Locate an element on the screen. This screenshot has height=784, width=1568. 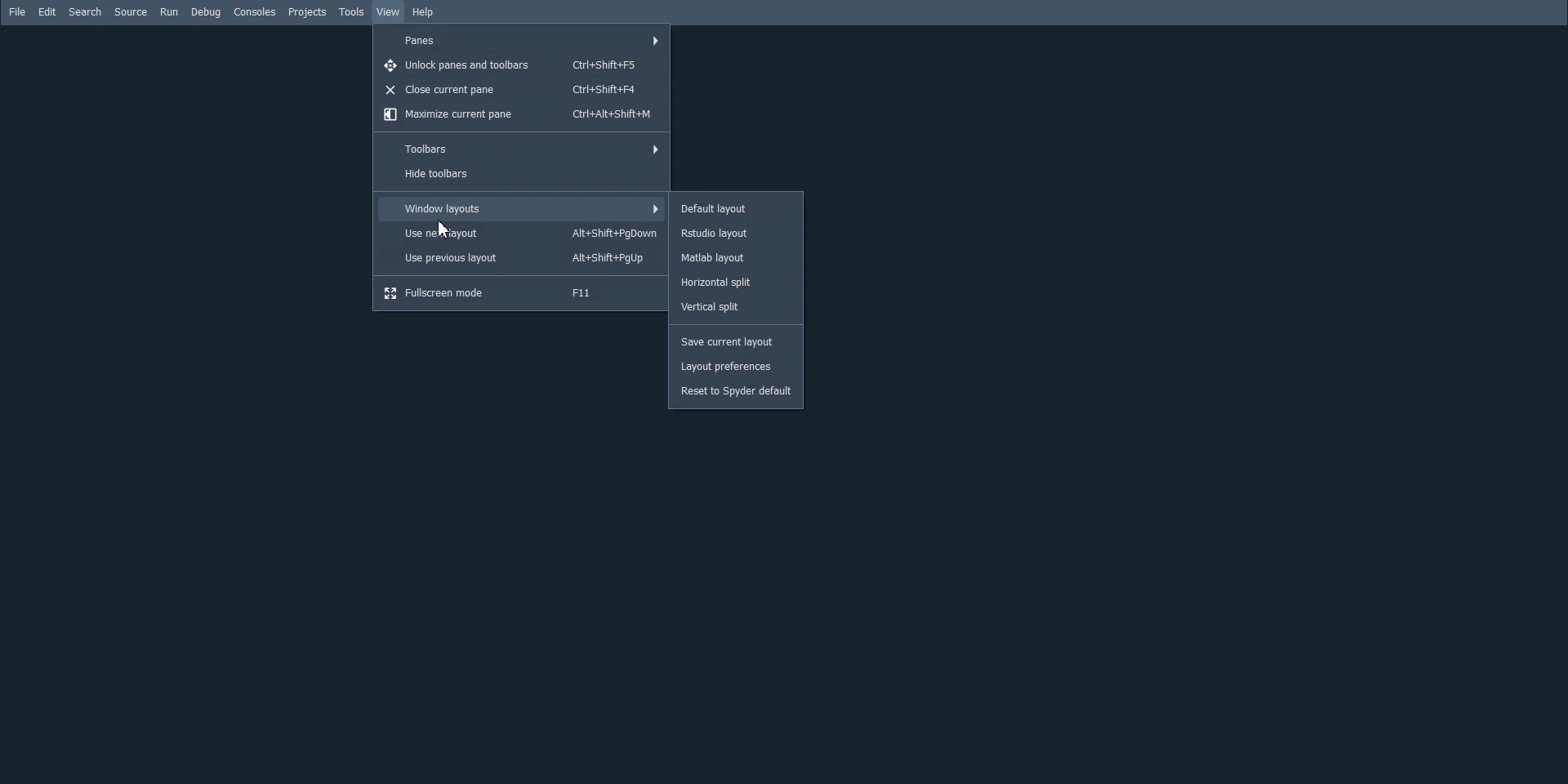
File is located at coordinates (16, 11).